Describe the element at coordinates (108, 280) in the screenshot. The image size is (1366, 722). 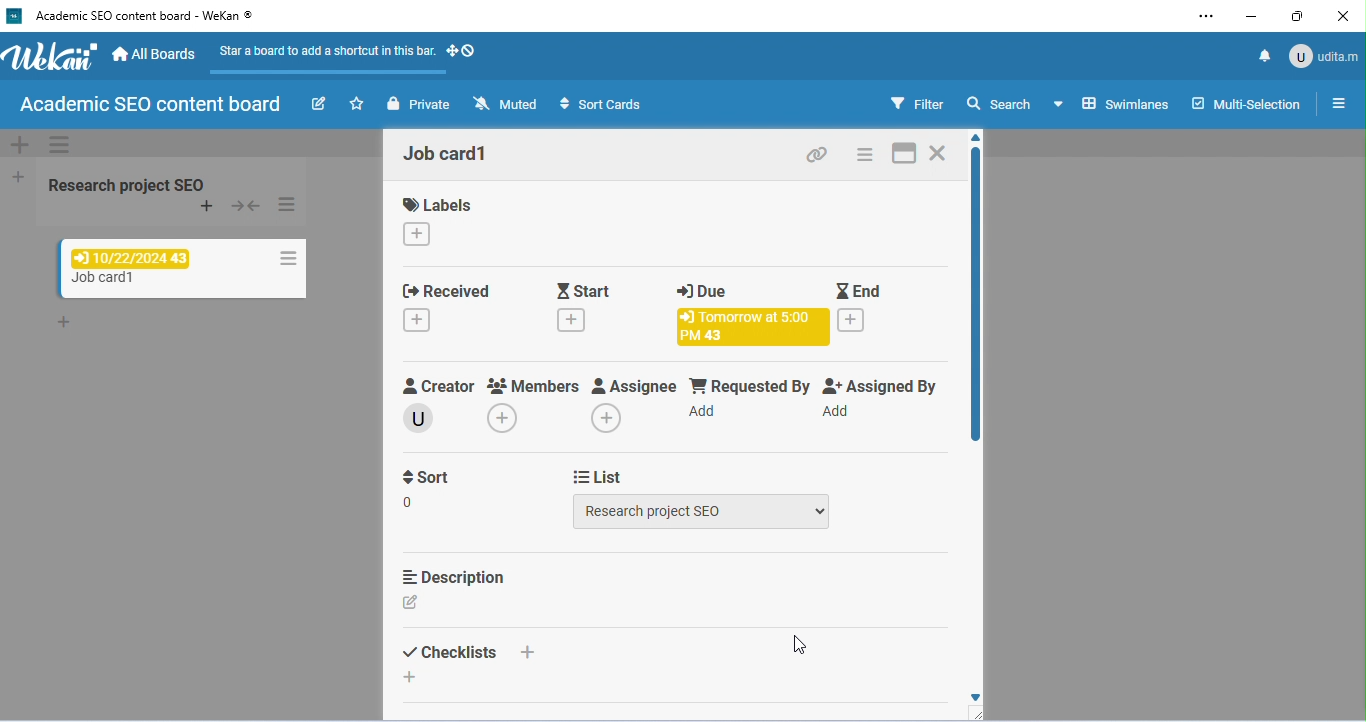
I see `card title: job card1` at that location.